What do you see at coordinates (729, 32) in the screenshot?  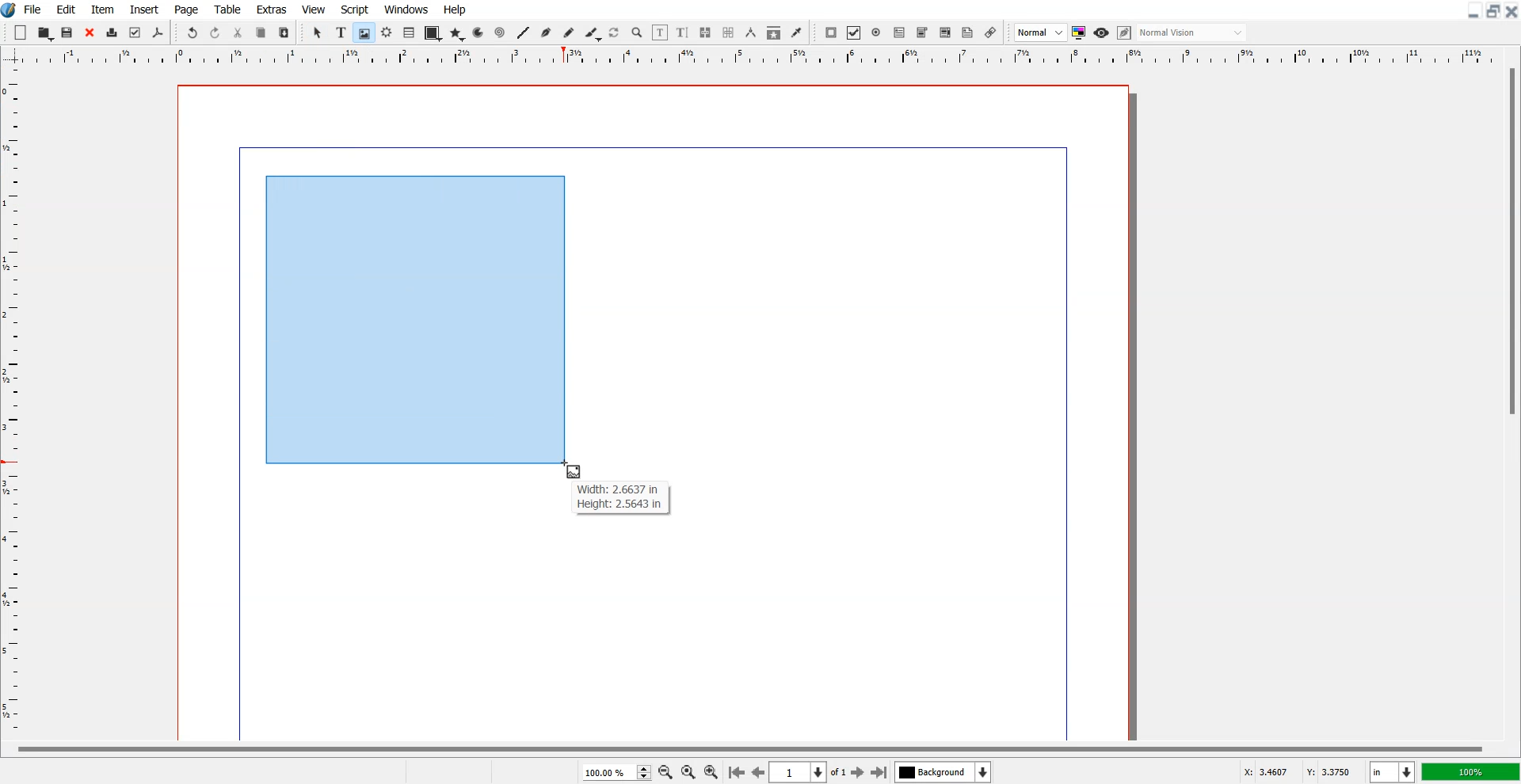 I see `Unlink Text frame` at bounding box center [729, 32].